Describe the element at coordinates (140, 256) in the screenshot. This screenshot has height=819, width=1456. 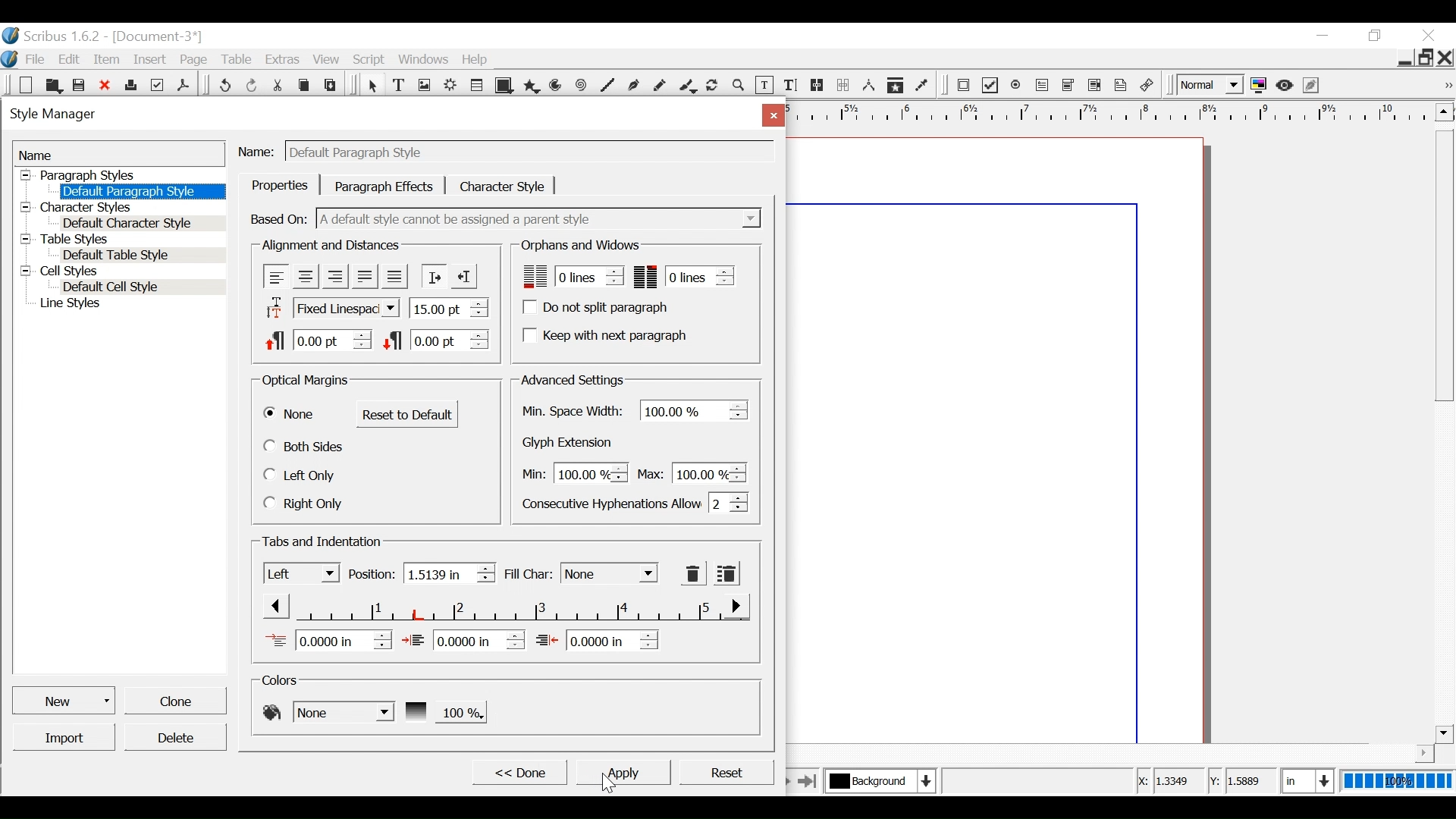
I see `Default Table Styles` at that location.